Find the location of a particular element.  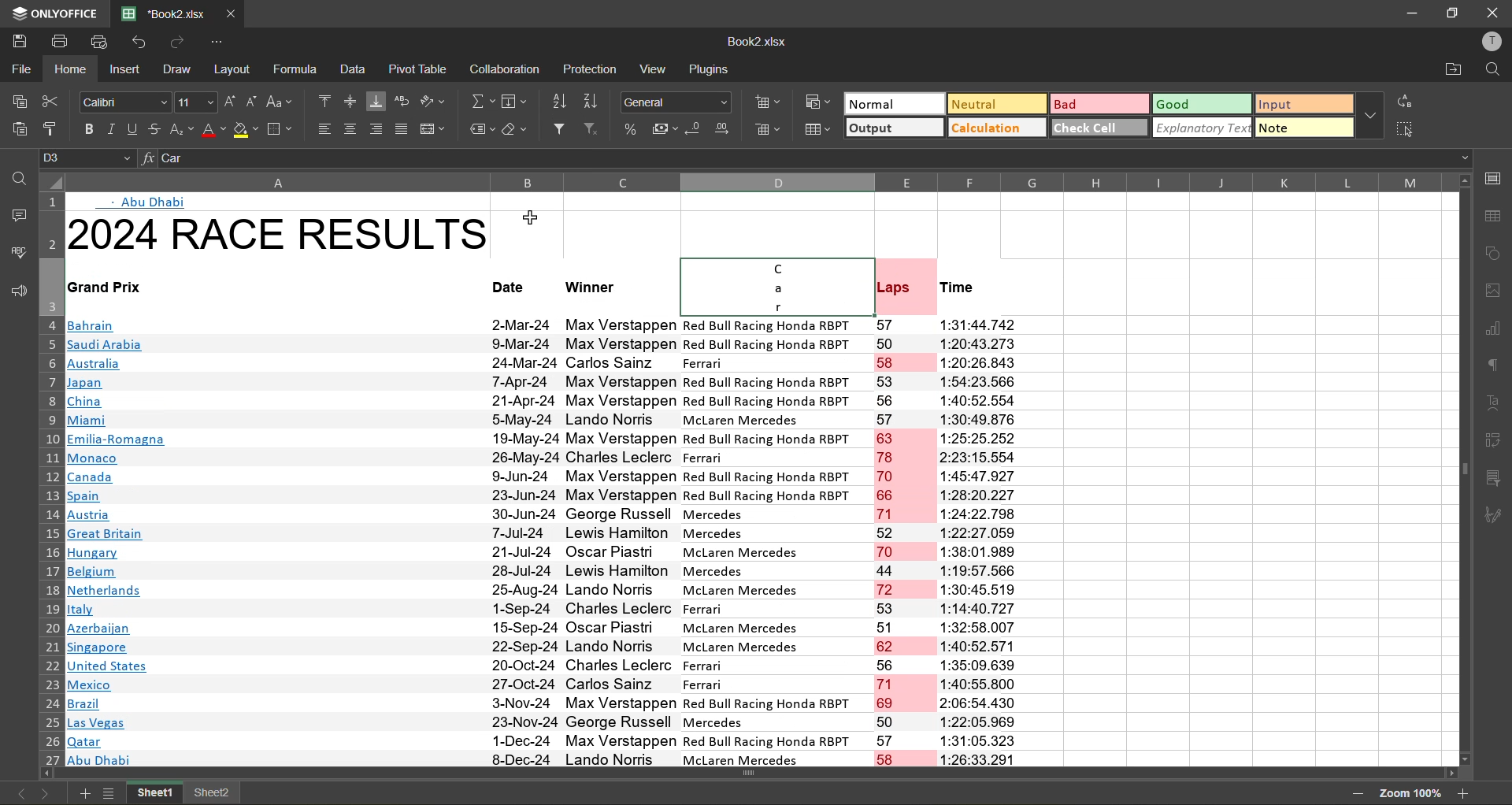

increase decimal is located at coordinates (723, 131).